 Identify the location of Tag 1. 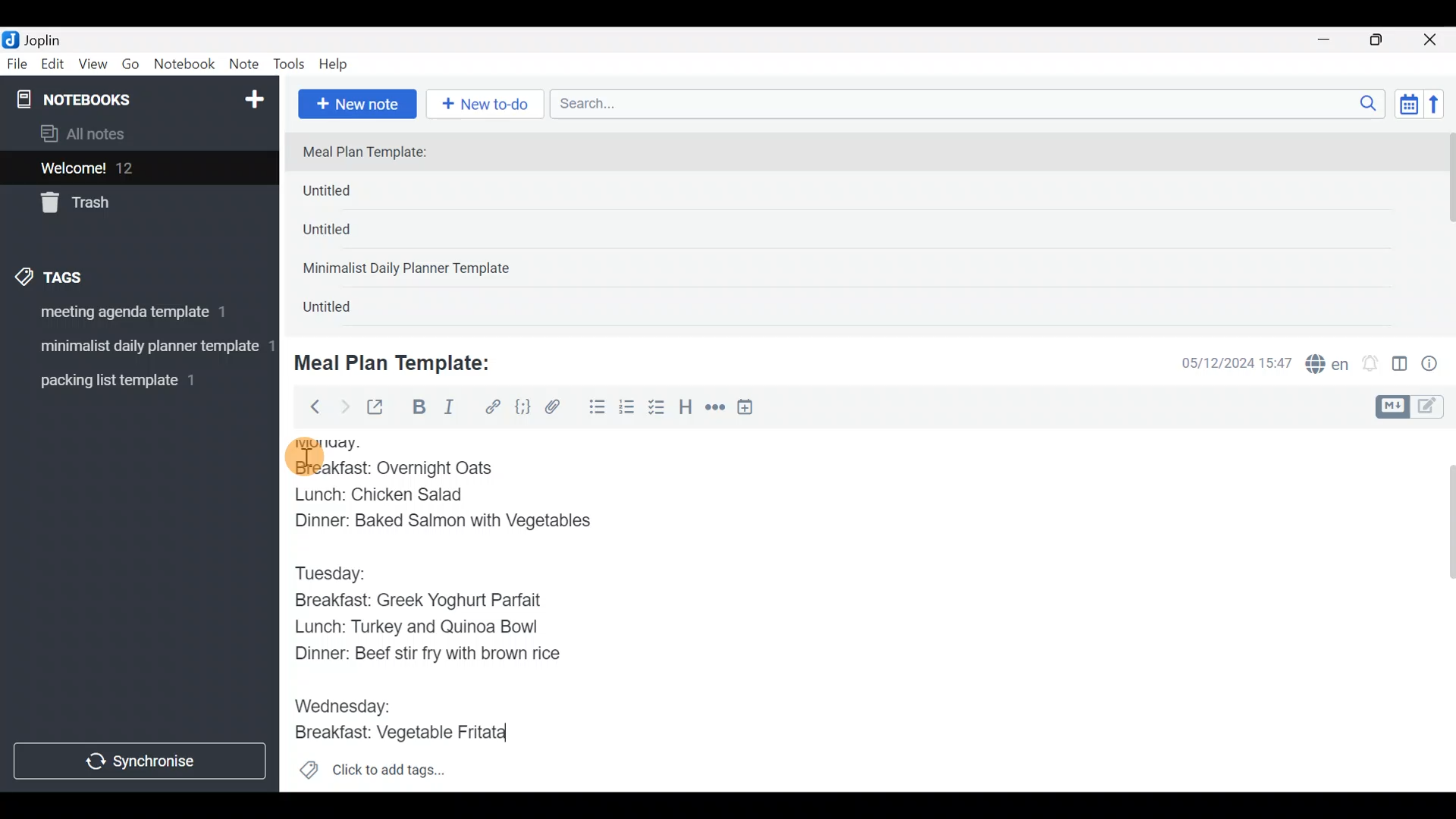
(135, 316).